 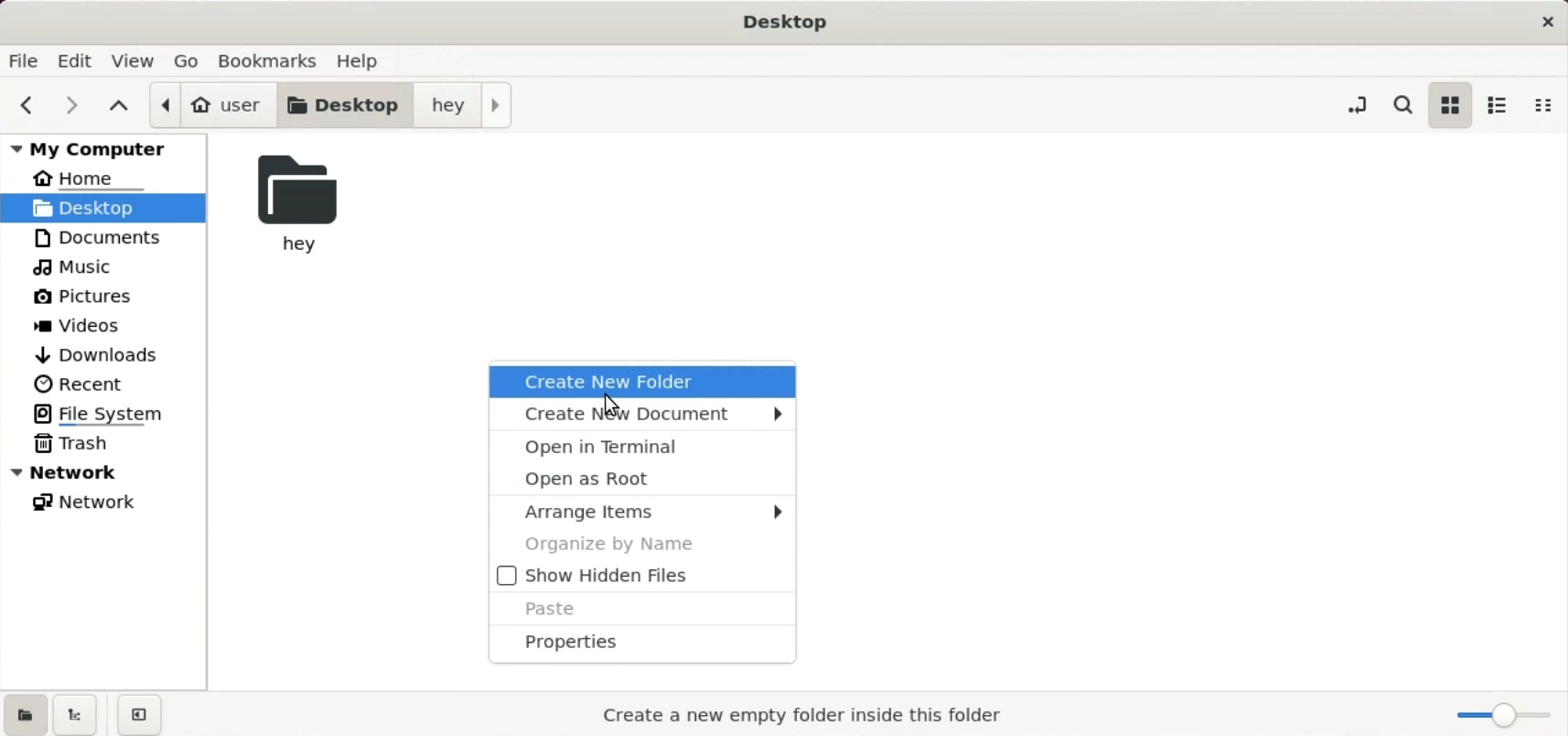 What do you see at coordinates (24, 714) in the screenshot?
I see `show places` at bounding box center [24, 714].